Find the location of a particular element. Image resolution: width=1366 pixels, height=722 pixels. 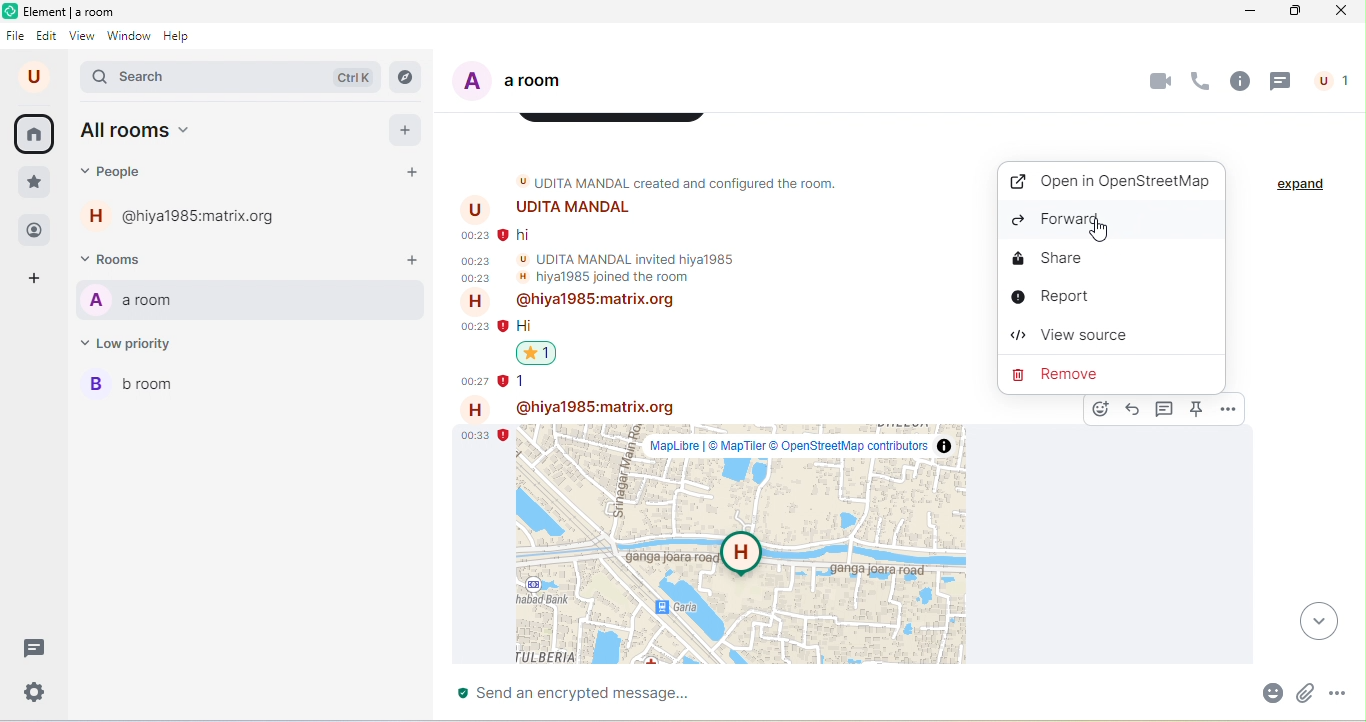

drop down is located at coordinates (1321, 620).